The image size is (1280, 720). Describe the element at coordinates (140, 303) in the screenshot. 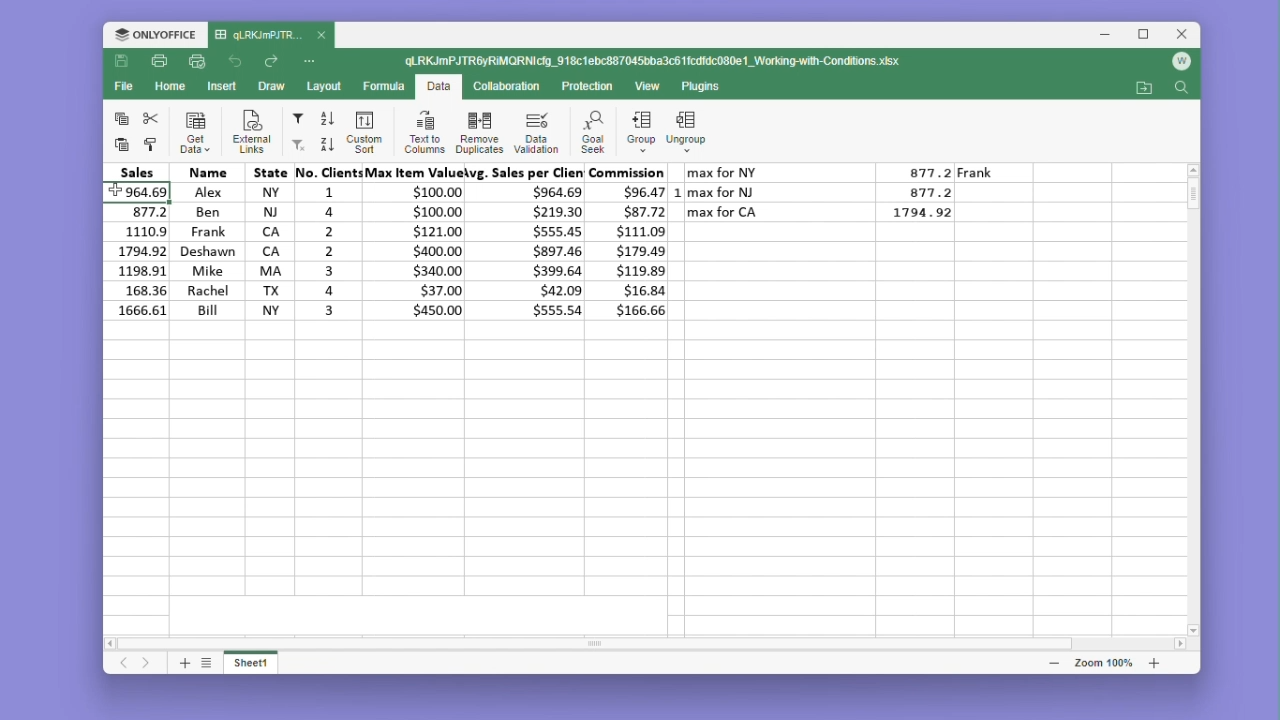

I see `remaining cells from the column` at that location.